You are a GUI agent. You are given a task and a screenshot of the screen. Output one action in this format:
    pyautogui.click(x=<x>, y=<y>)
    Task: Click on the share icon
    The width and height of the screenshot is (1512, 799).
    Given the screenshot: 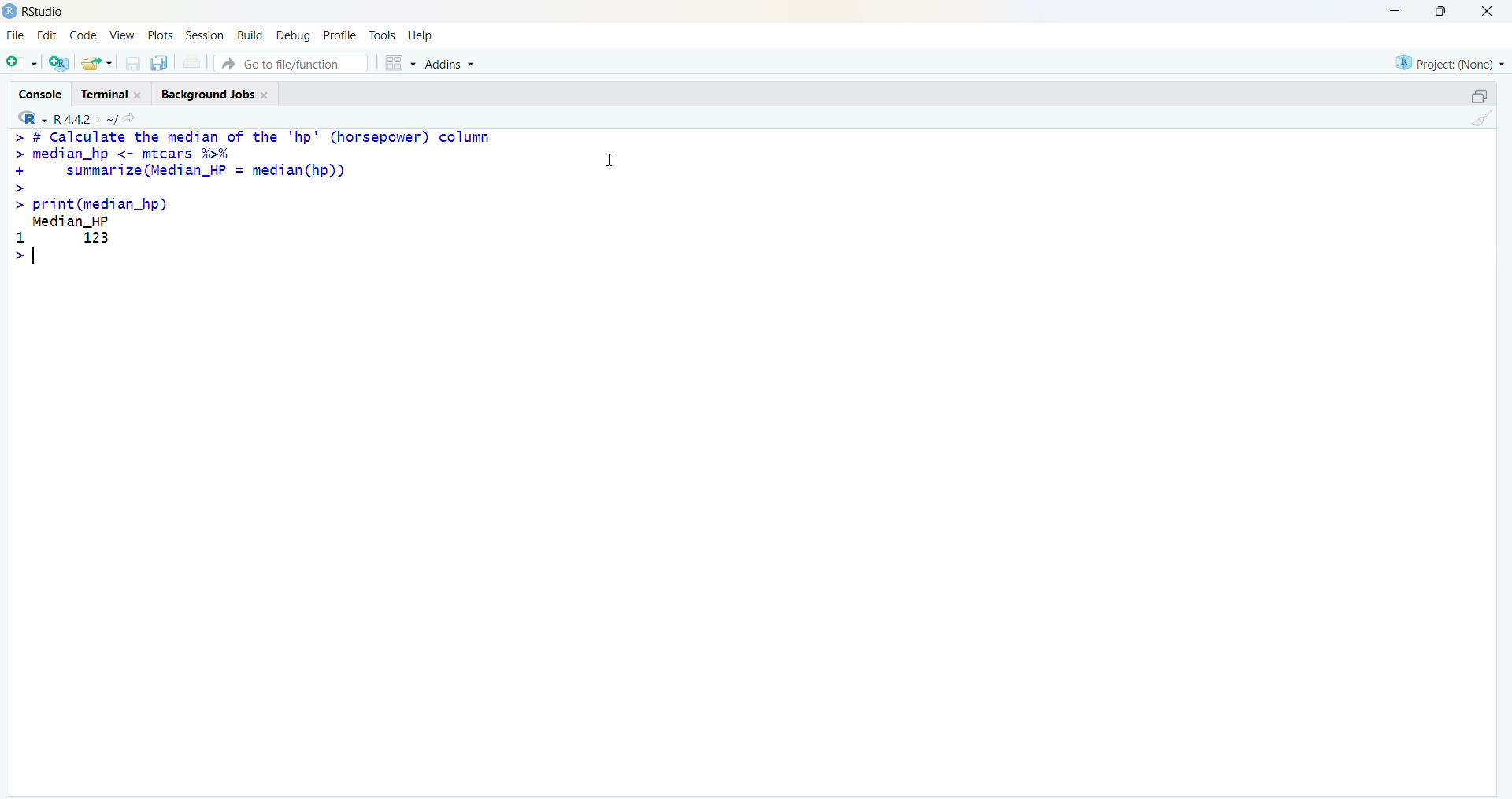 What is the action you would take?
    pyautogui.click(x=129, y=120)
    